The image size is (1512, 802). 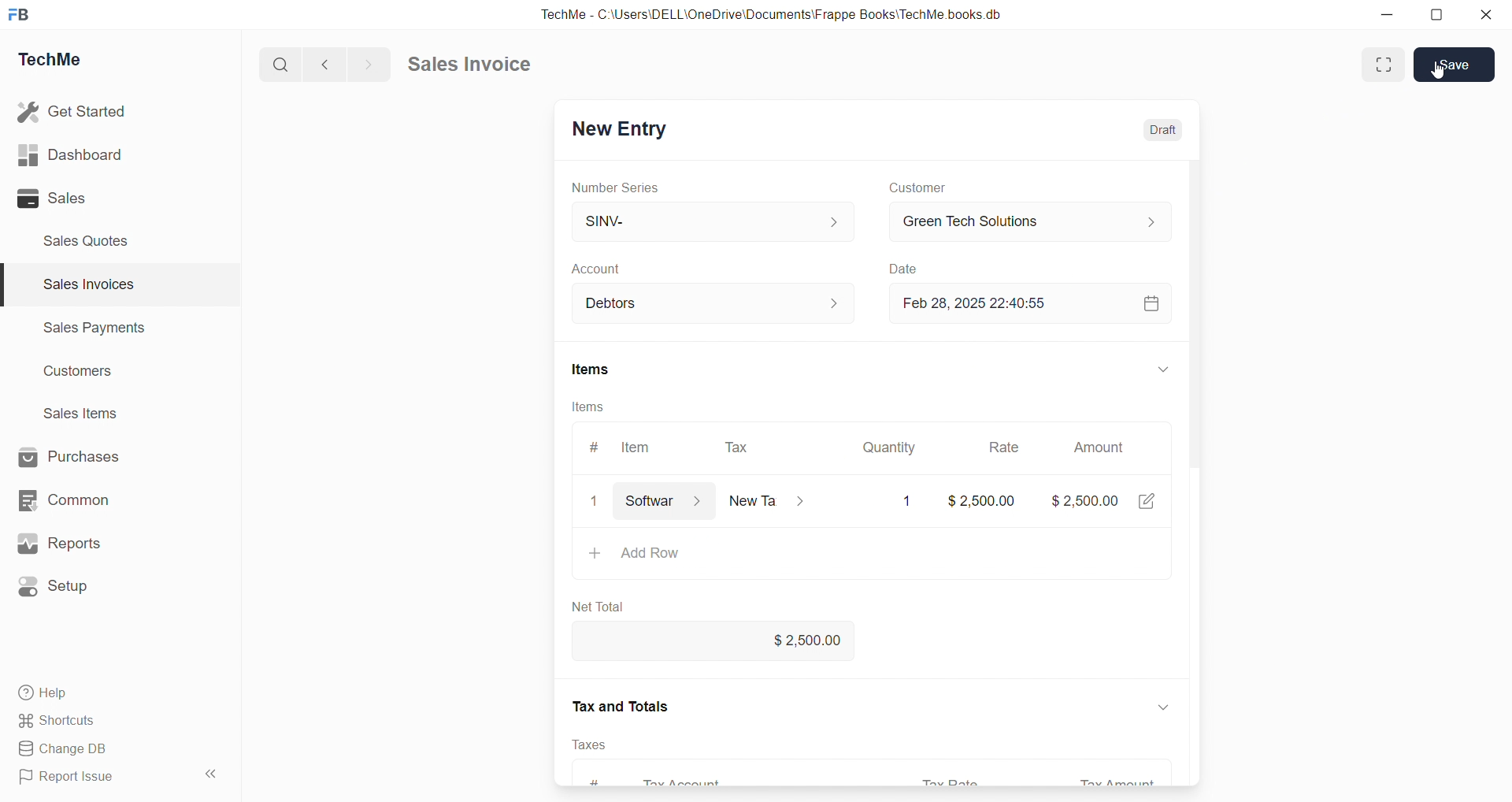 What do you see at coordinates (55, 587) in the screenshot?
I see `Setup` at bounding box center [55, 587].